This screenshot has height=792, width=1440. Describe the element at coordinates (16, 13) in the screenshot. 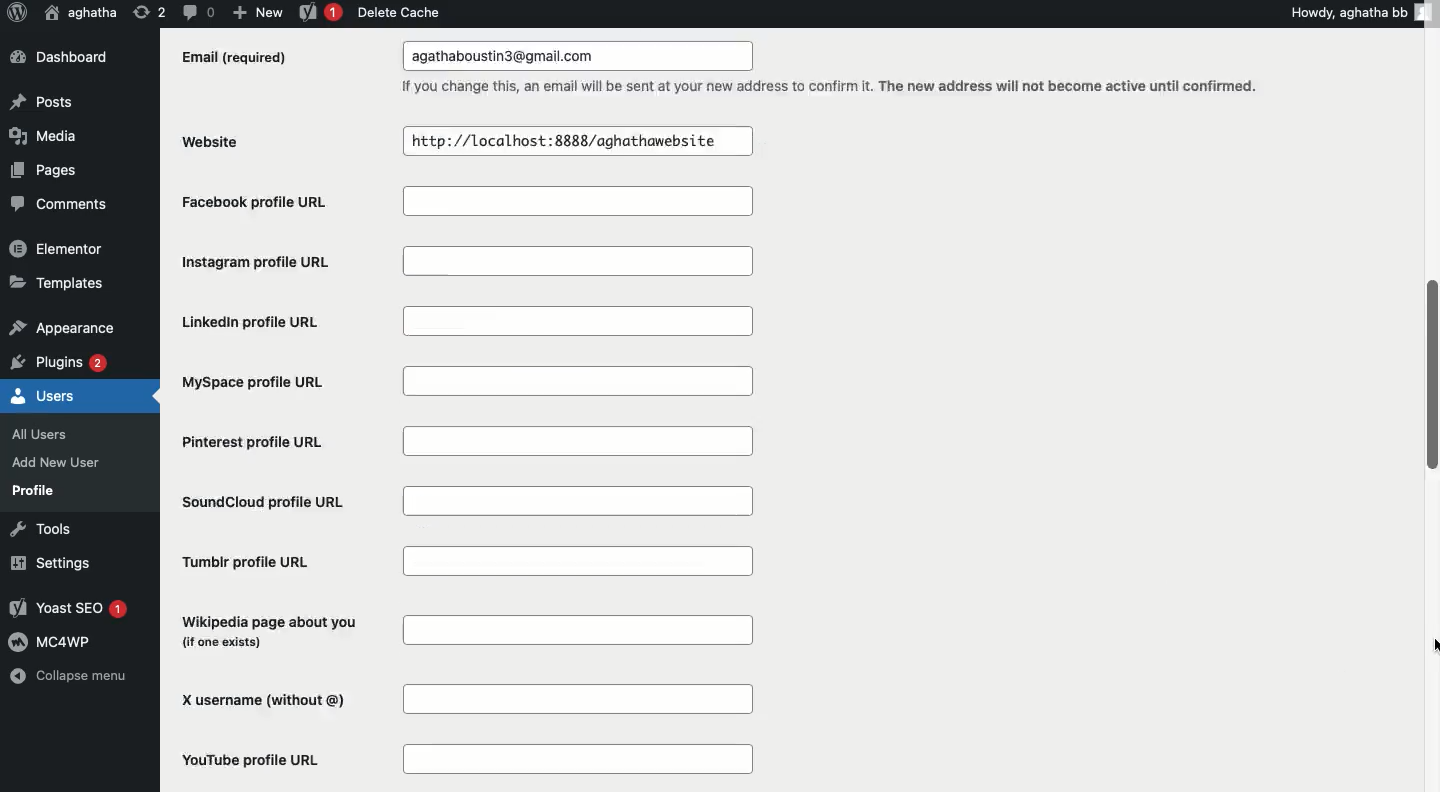

I see `Logo` at that location.